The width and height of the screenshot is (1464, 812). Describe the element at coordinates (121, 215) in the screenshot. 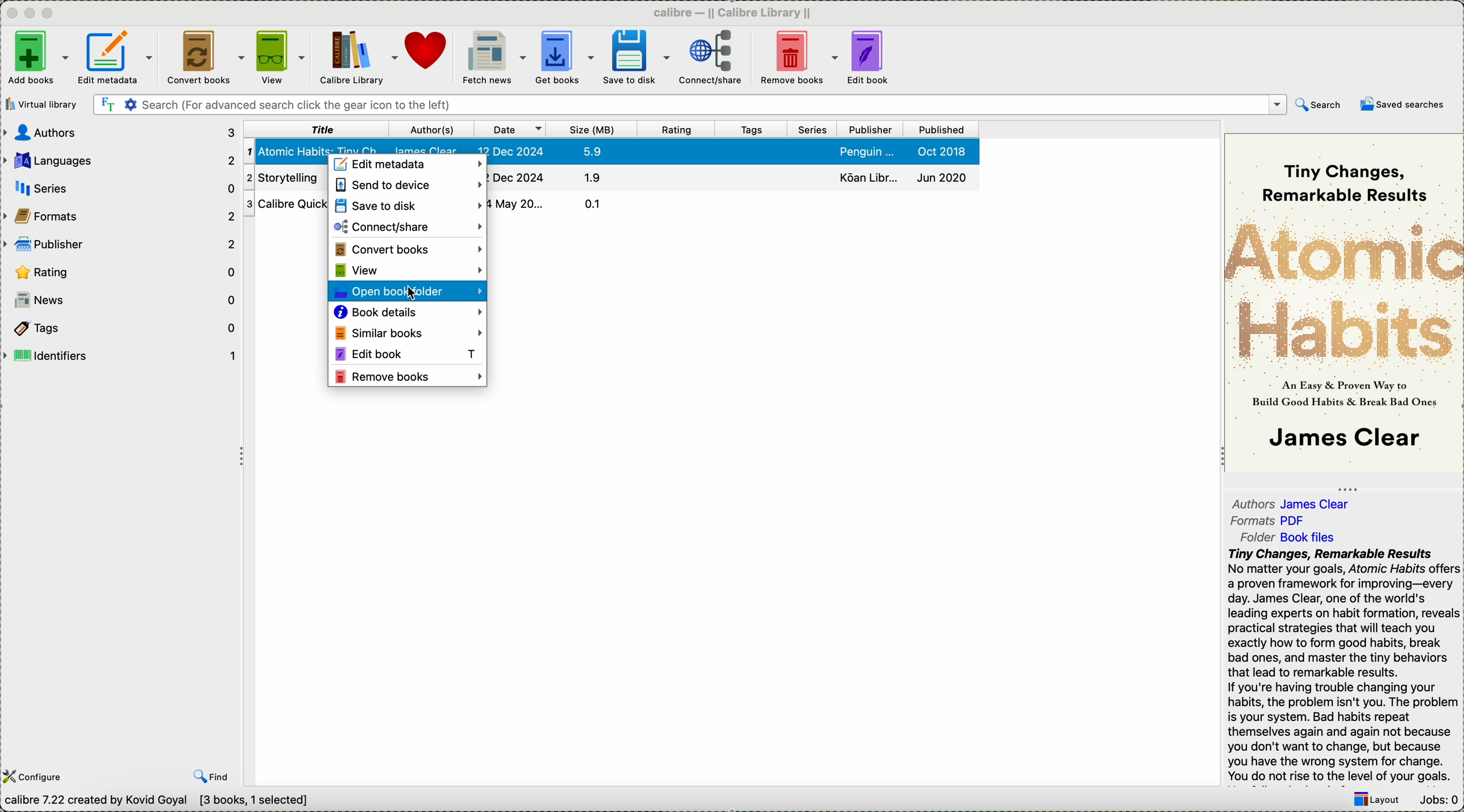

I see `formats` at that location.